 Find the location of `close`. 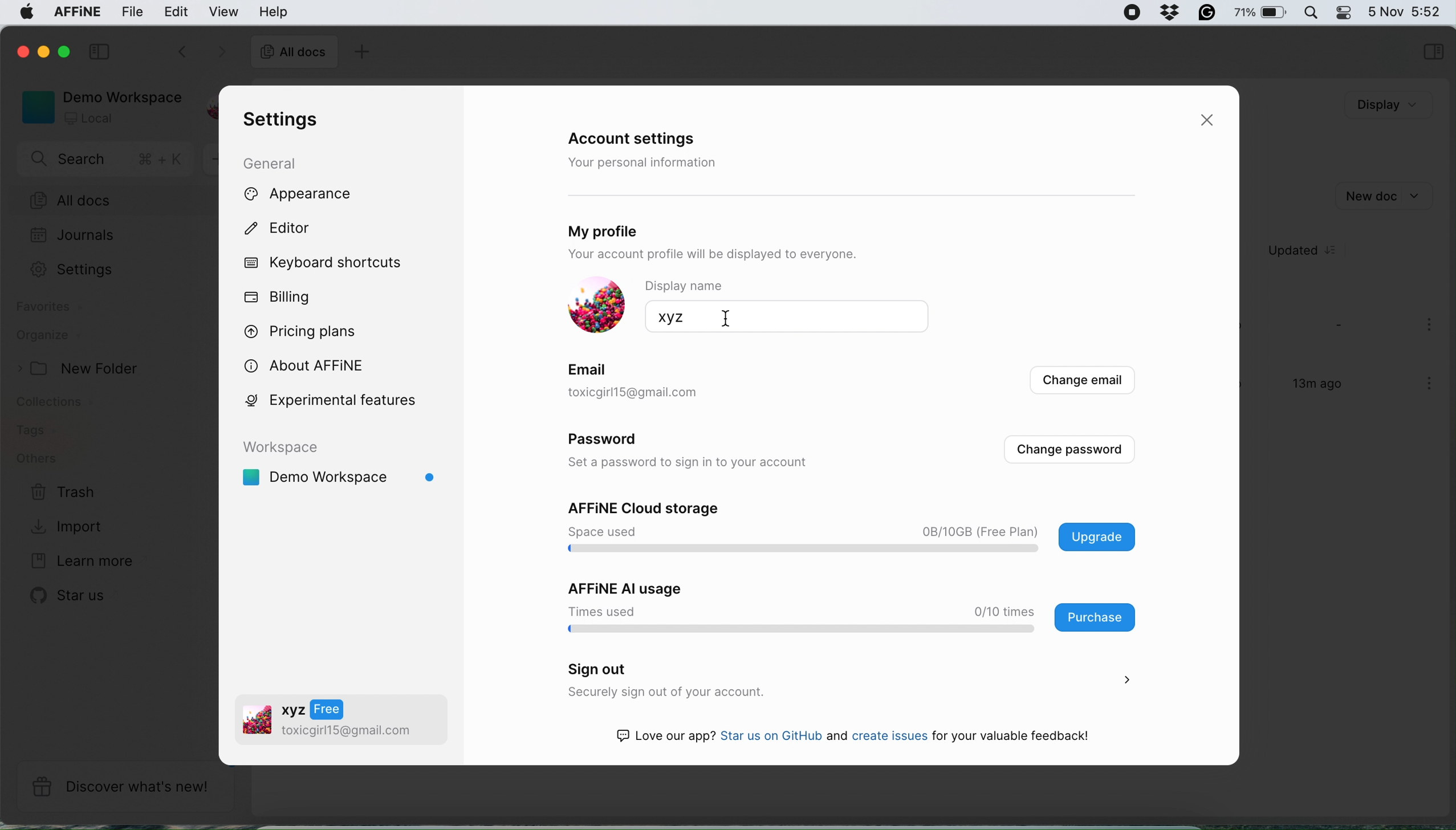

close is located at coordinates (21, 50).